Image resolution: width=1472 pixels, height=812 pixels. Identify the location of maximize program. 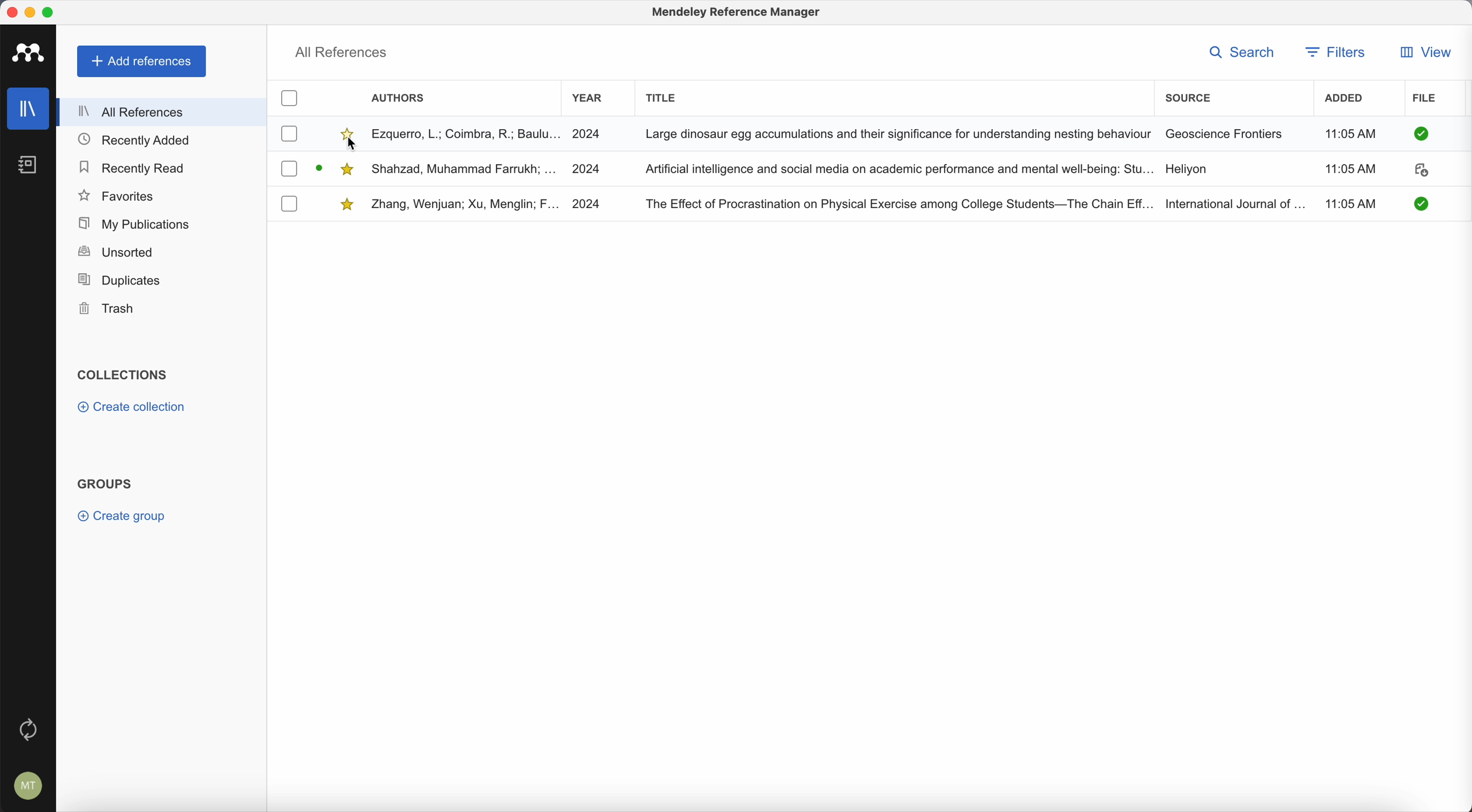
(51, 11).